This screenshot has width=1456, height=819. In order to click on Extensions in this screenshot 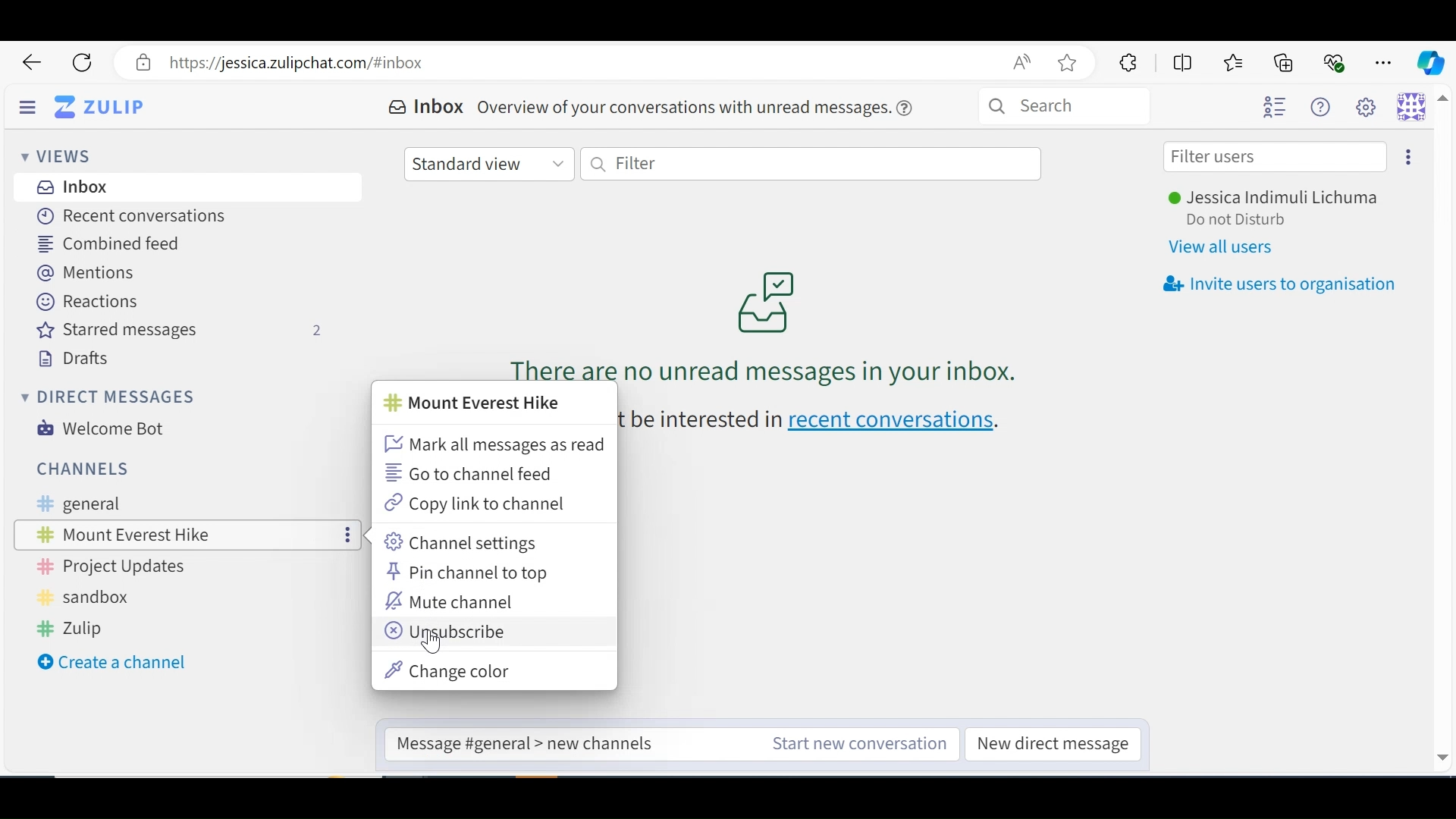, I will do `click(1126, 63)`.